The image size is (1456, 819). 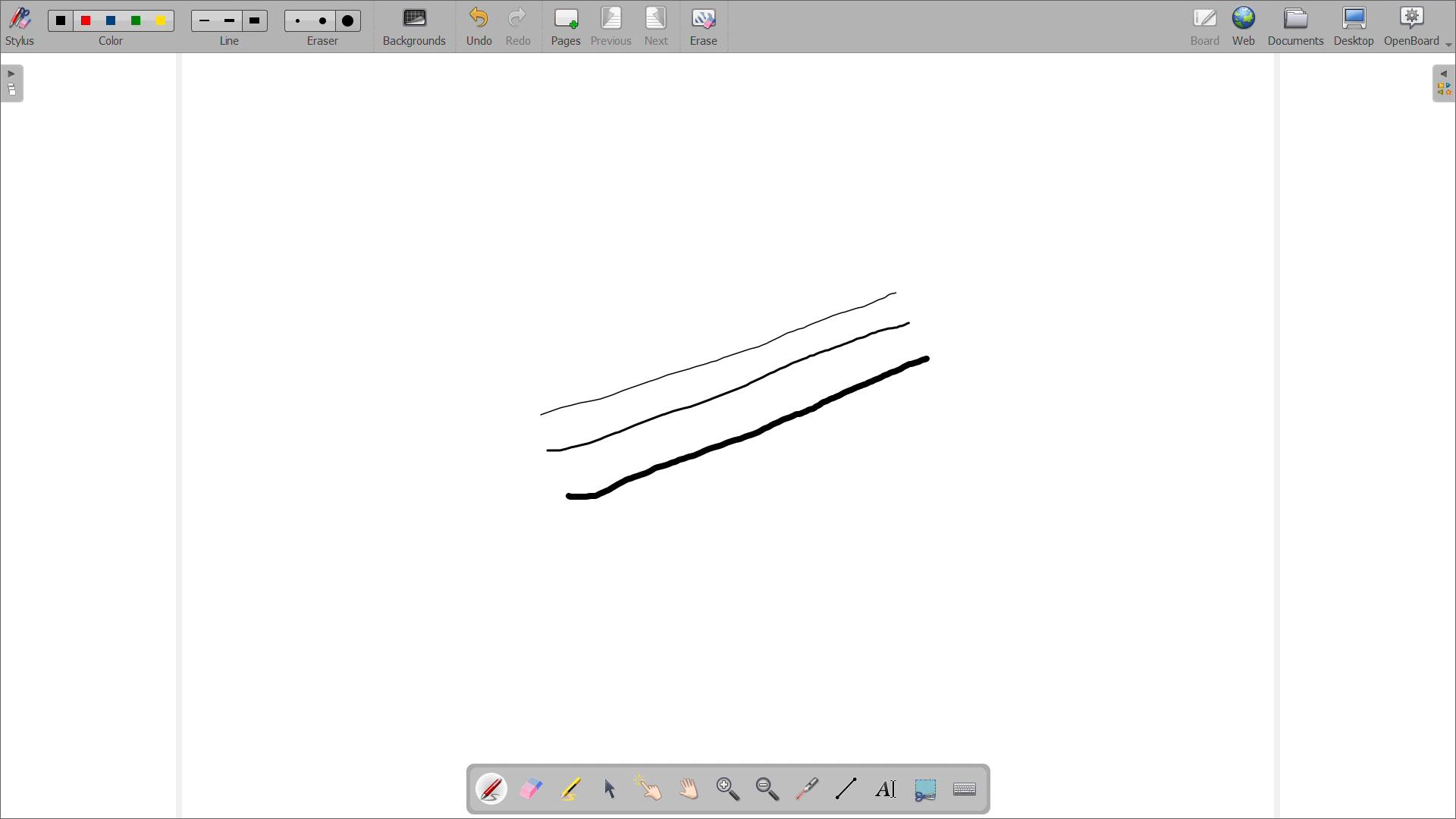 I want to click on previous page, so click(x=612, y=26).